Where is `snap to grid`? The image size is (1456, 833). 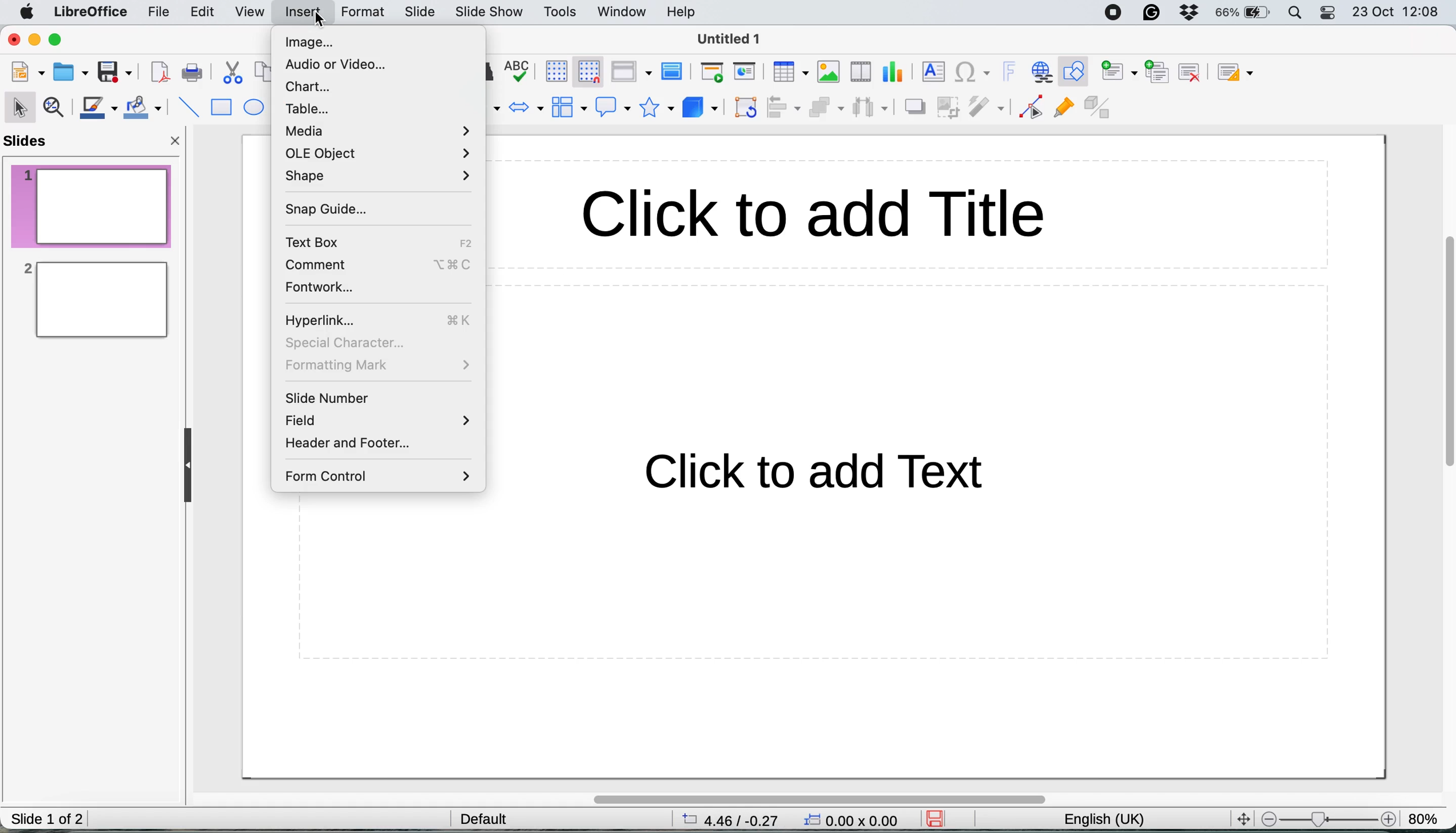 snap to grid is located at coordinates (584, 70).